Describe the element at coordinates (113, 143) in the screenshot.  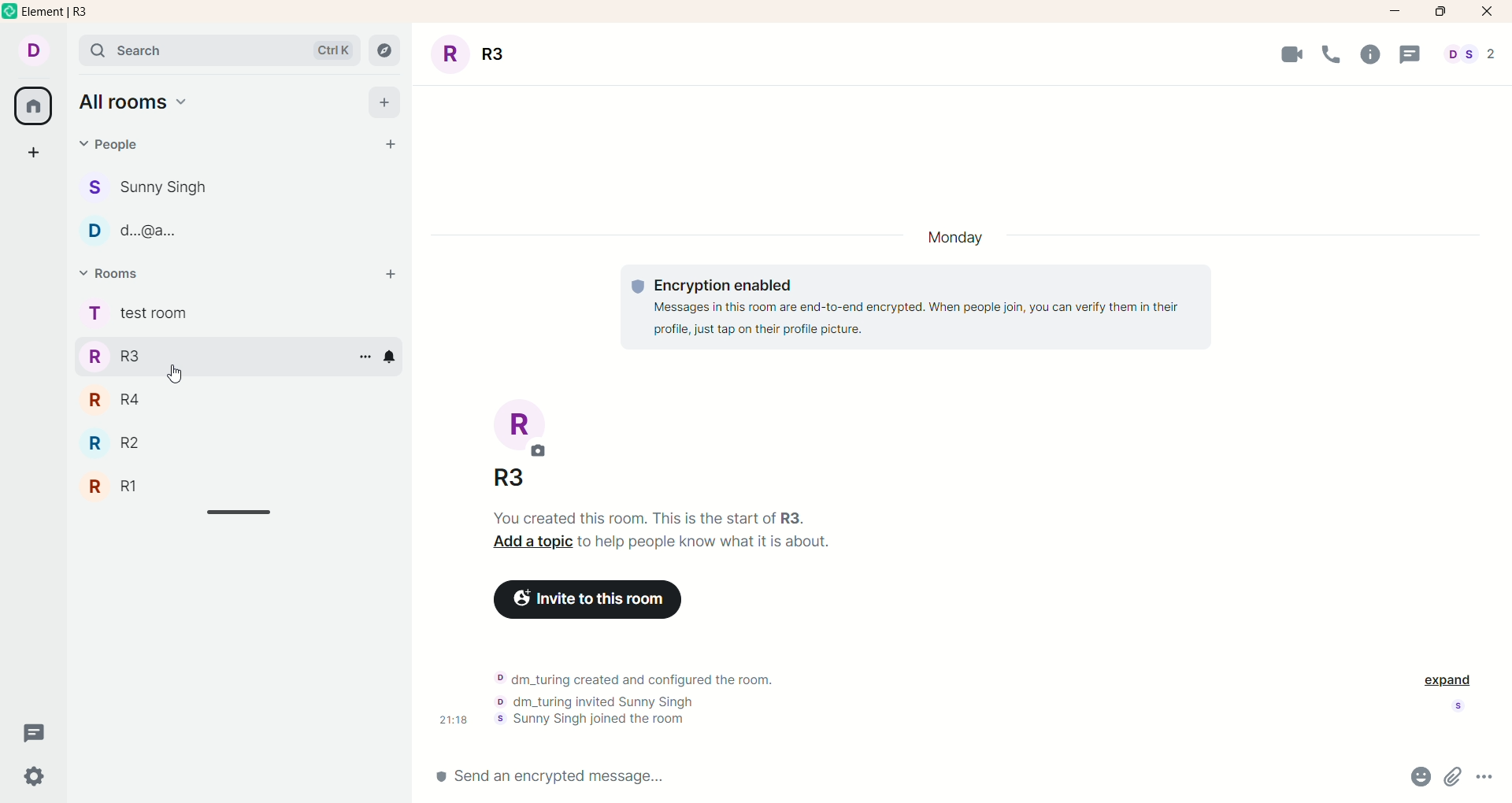
I see `people` at that location.